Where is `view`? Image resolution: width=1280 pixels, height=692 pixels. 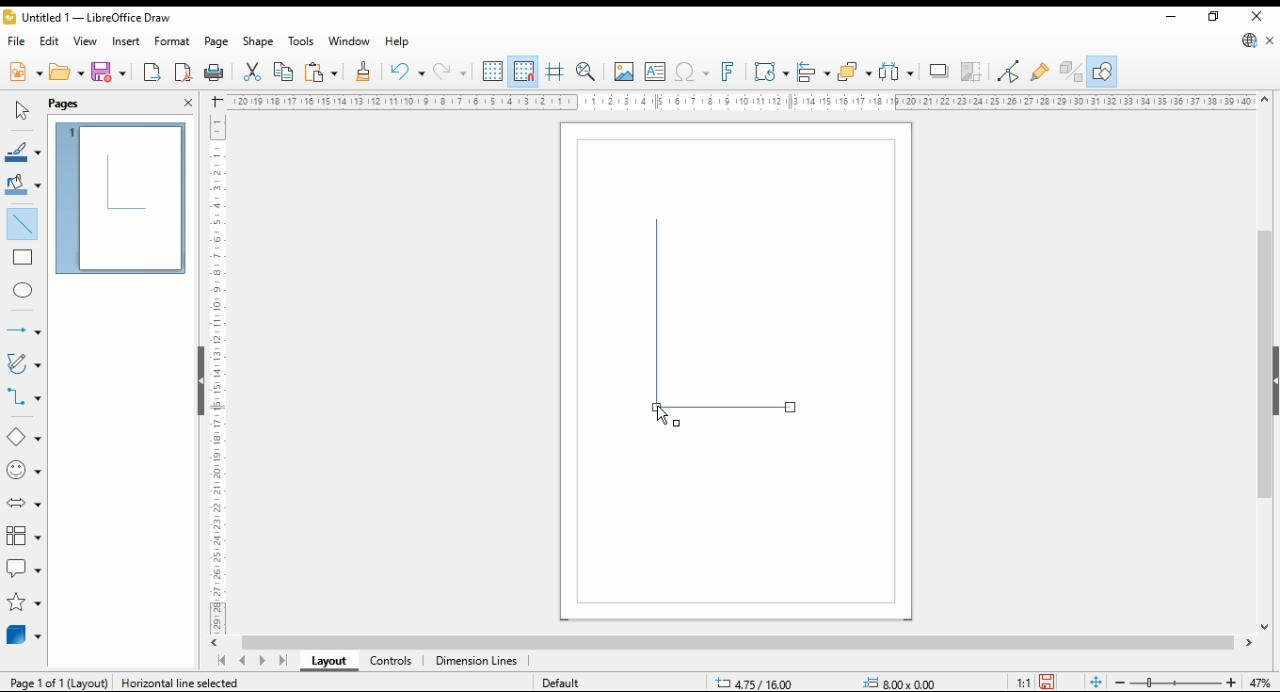 view is located at coordinates (86, 42).